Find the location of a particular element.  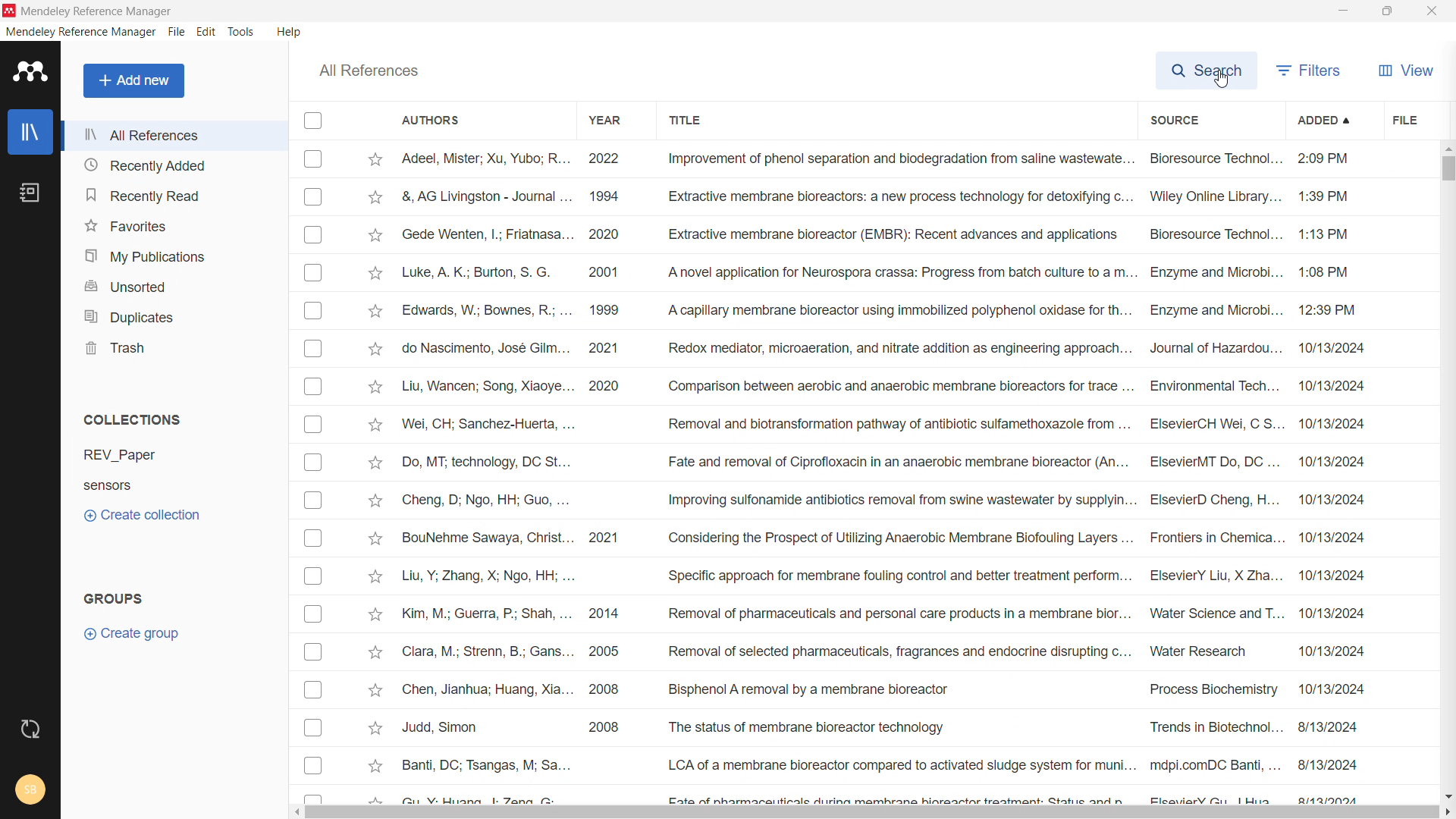

Judd, Simon 2008 The status of membrane bioreactor technology Trends in Biotechnol... 8/13/2024 is located at coordinates (877, 726).